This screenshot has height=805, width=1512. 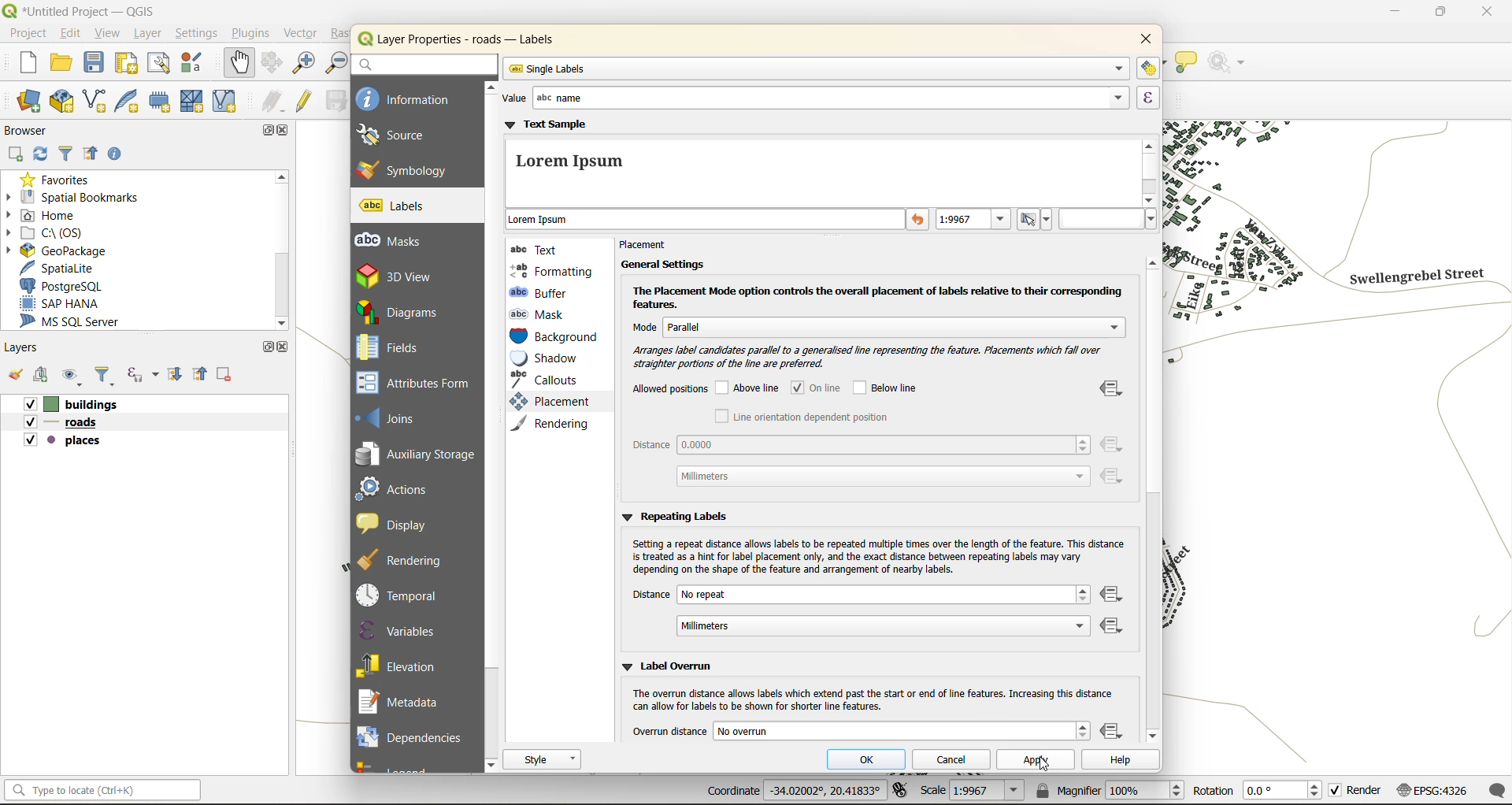 I want to click on below line, so click(x=891, y=388).